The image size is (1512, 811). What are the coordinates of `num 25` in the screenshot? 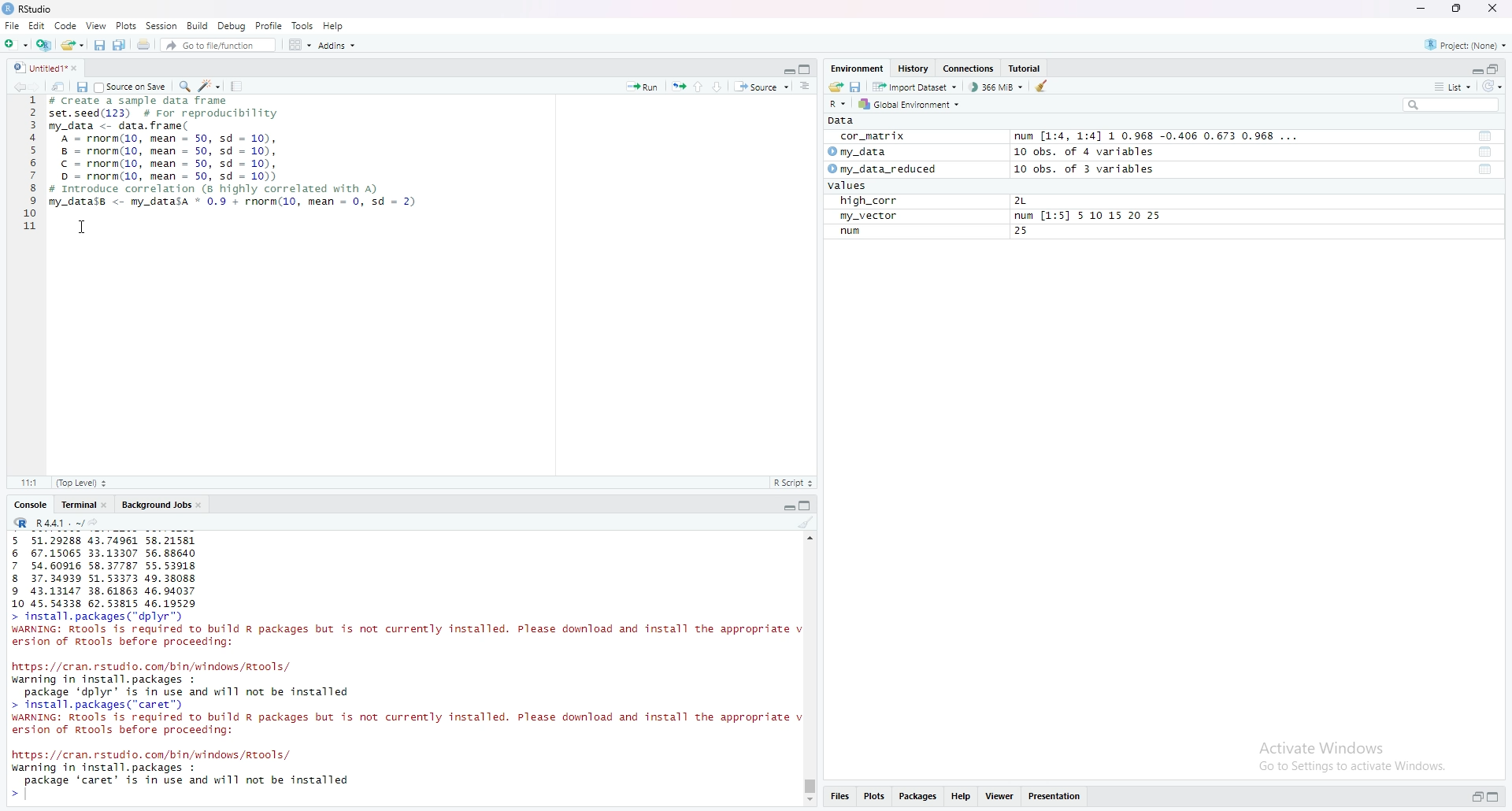 It's located at (945, 233).